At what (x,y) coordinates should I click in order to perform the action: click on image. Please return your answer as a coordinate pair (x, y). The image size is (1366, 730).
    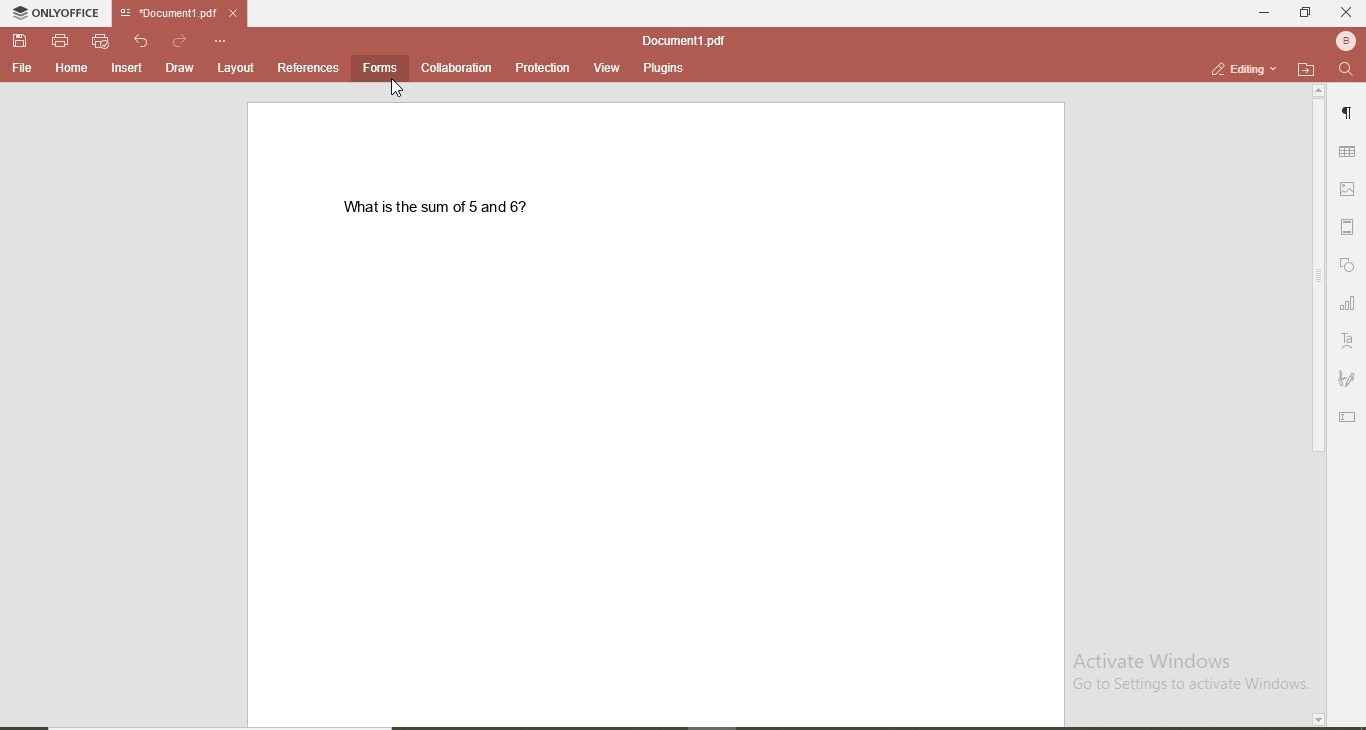
    Looking at the image, I should click on (1350, 191).